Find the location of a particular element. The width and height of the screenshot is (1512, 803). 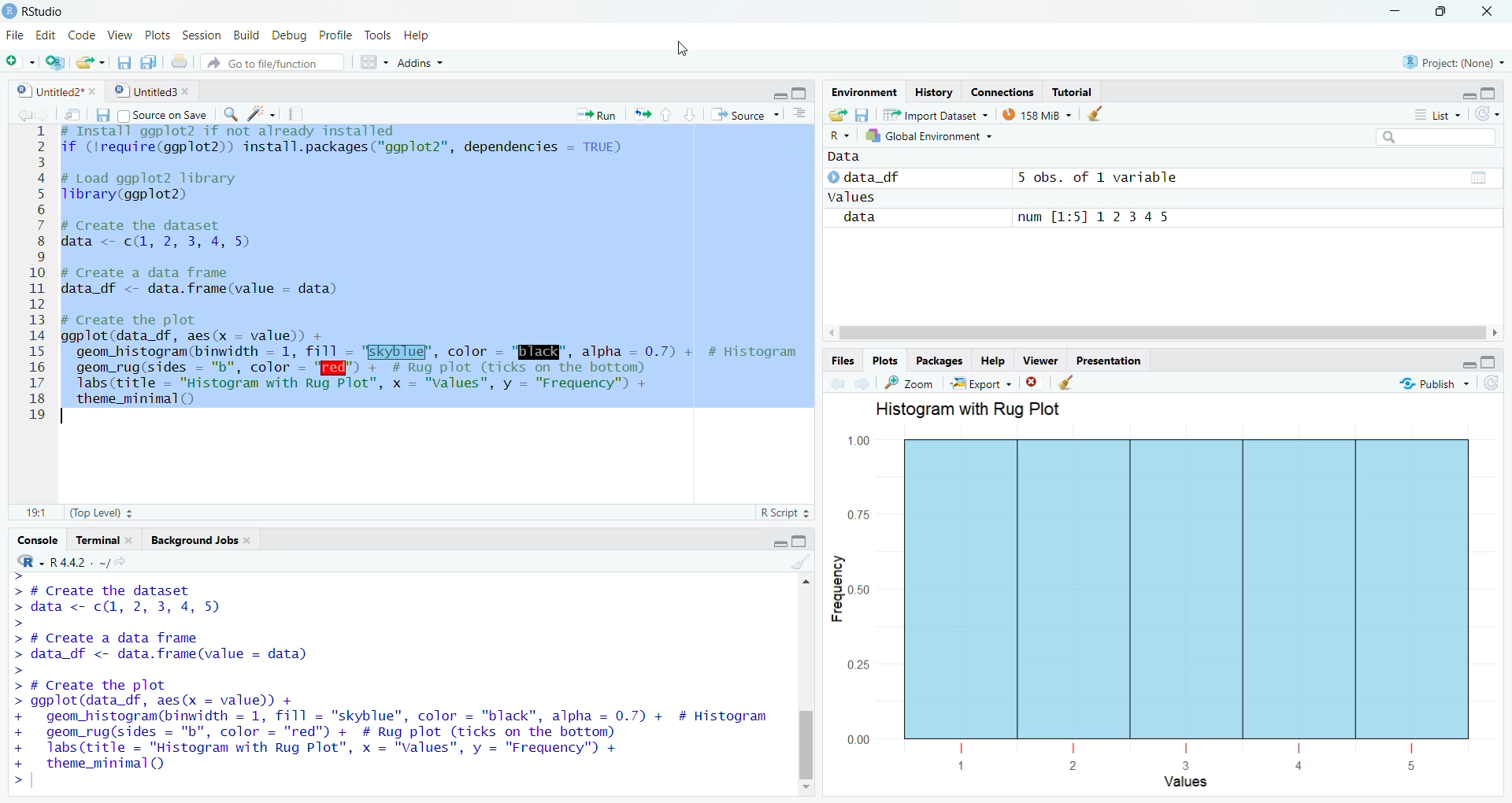

Export  is located at coordinates (976, 383).